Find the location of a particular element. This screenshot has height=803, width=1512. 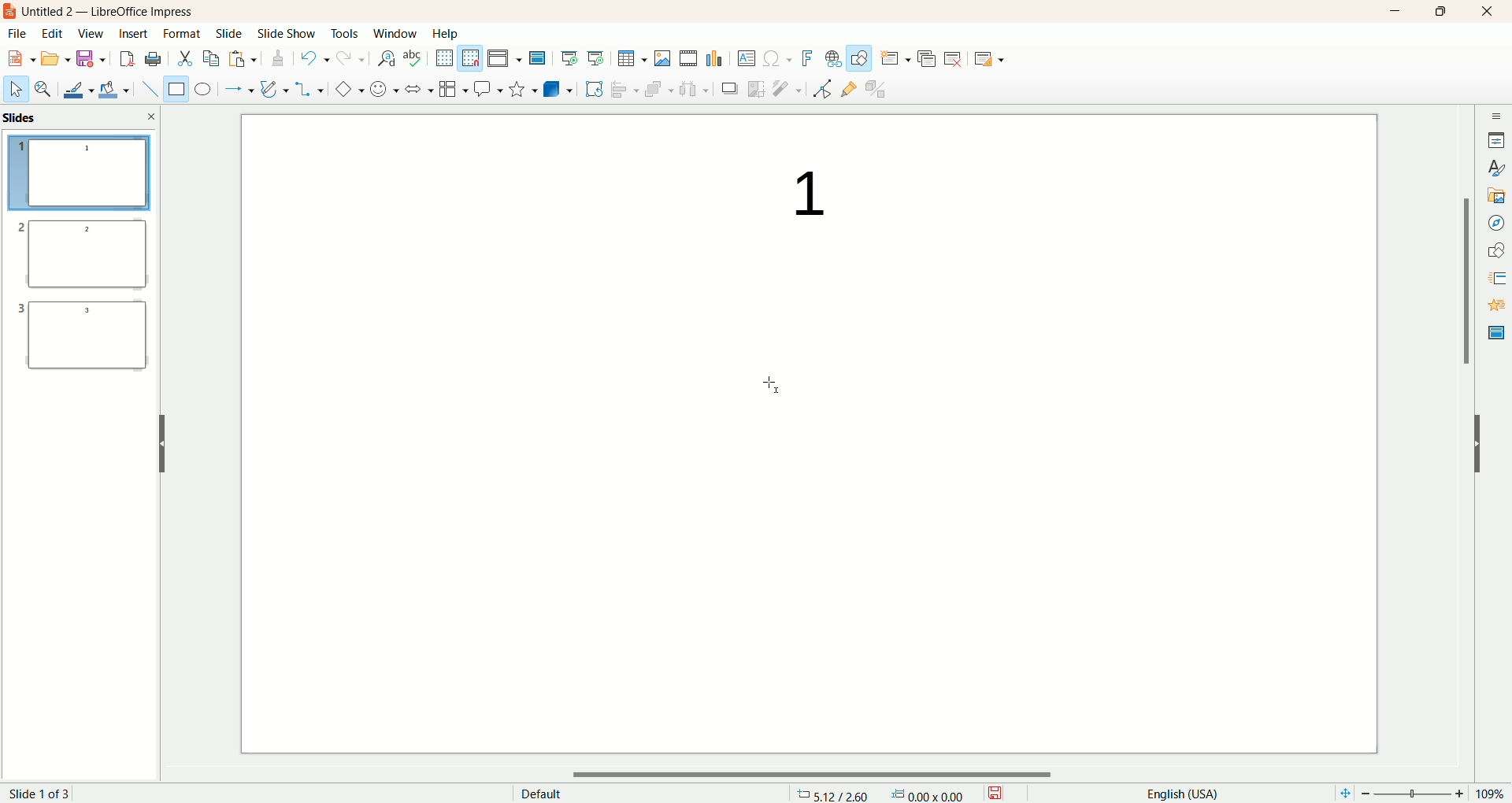

paste is located at coordinates (244, 60).